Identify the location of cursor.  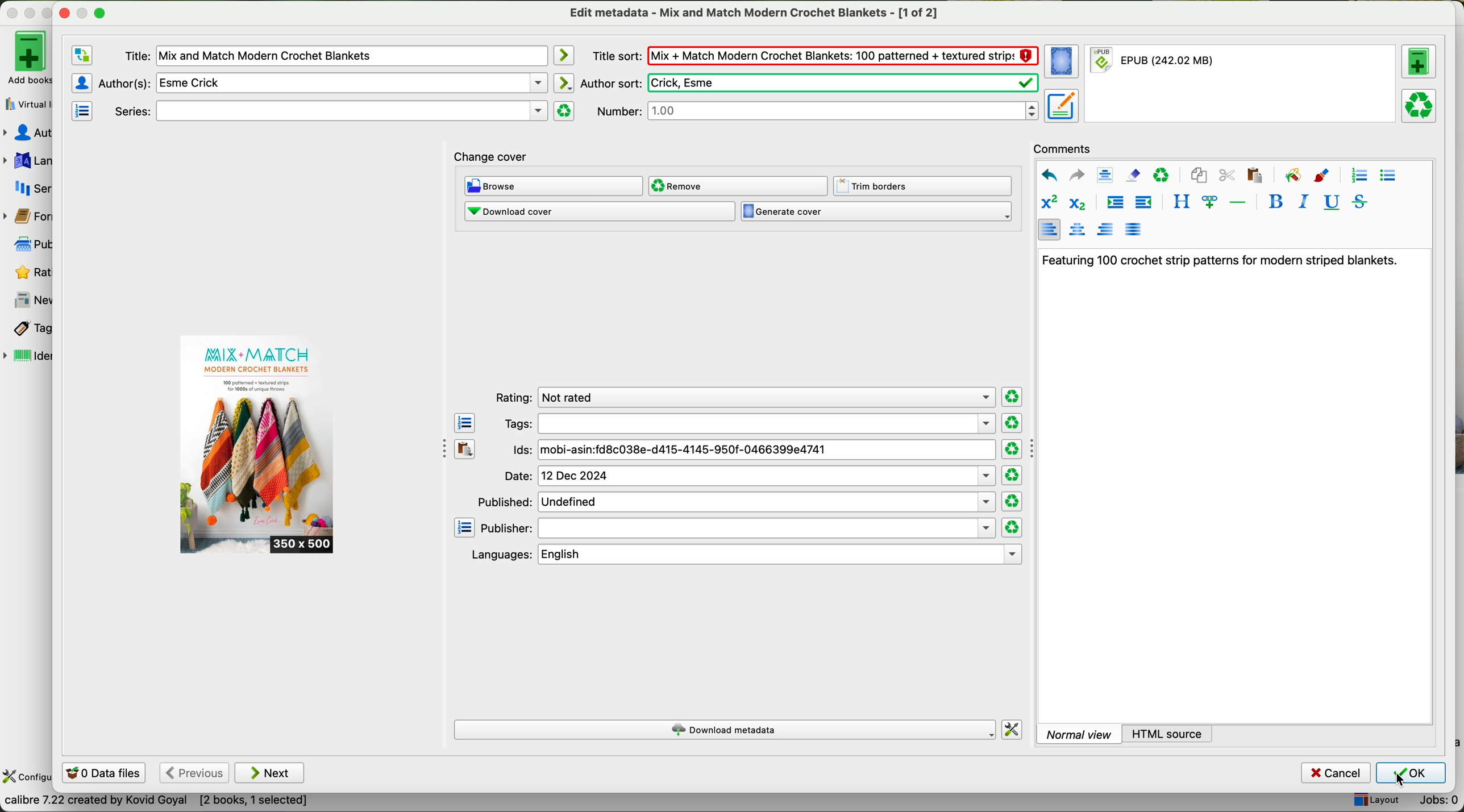
(1401, 780).